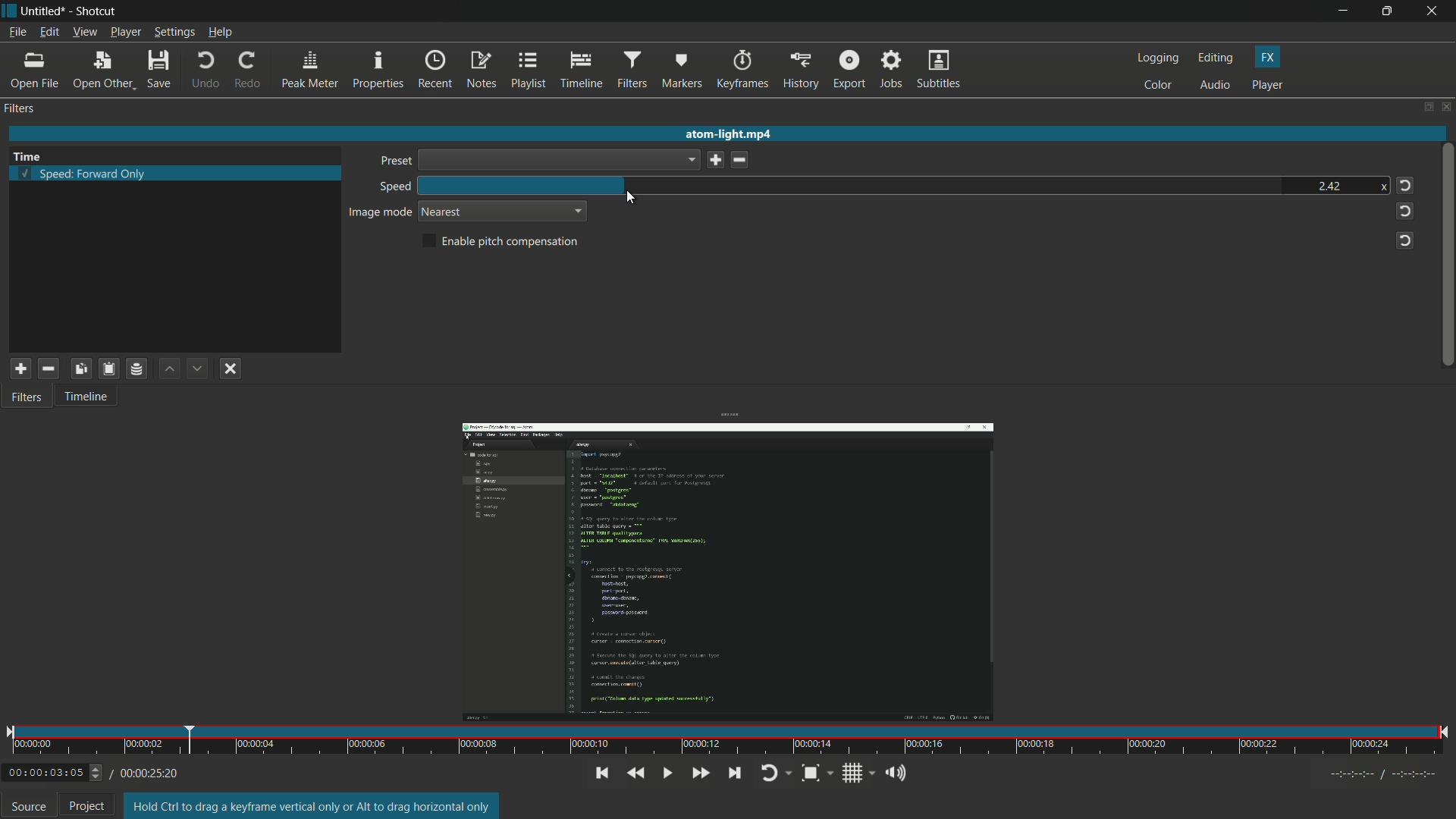  What do you see at coordinates (87, 806) in the screenshot?
I see `project` at bounding box center [87, 806].